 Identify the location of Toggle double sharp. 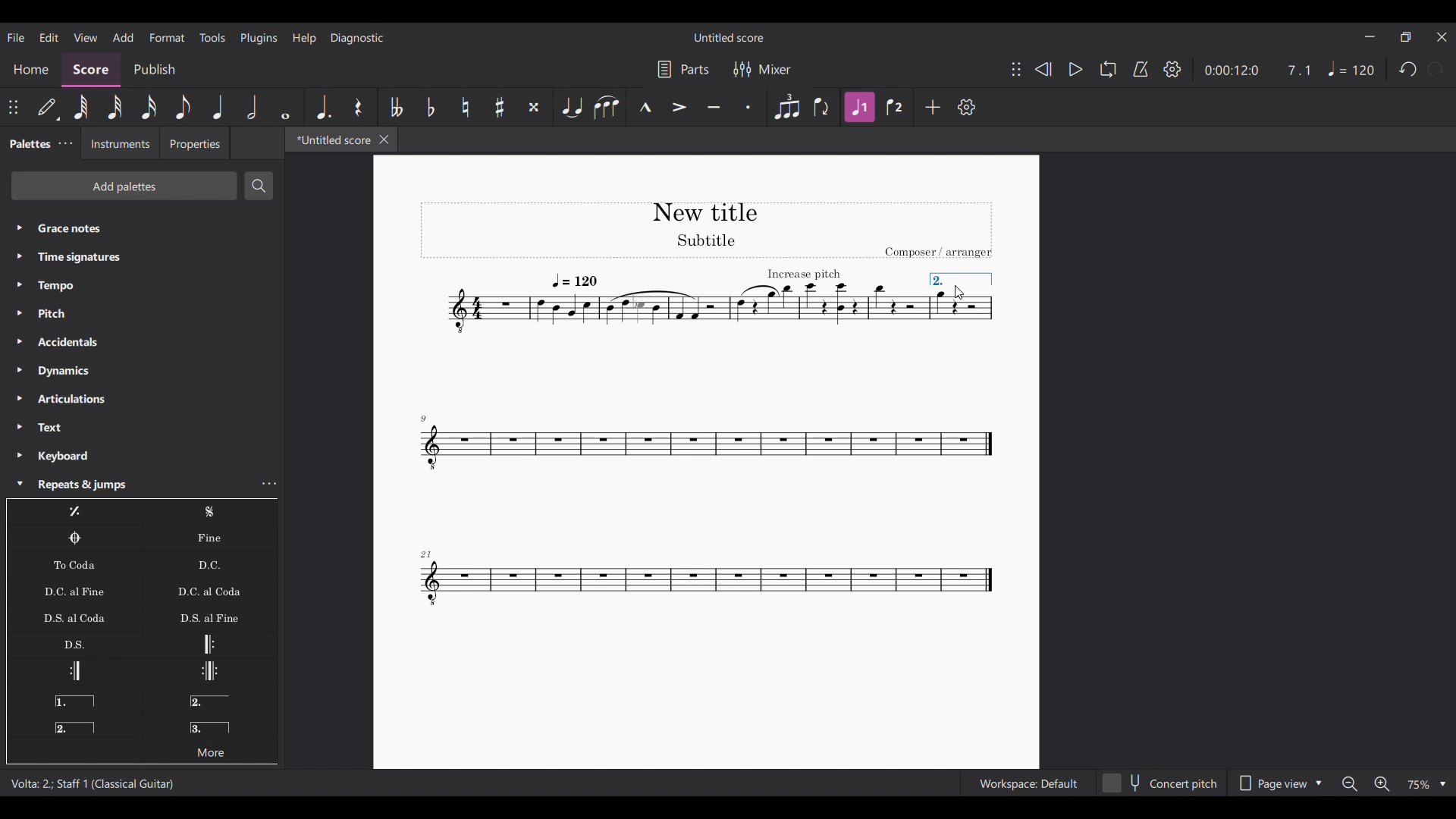
(535, 107).